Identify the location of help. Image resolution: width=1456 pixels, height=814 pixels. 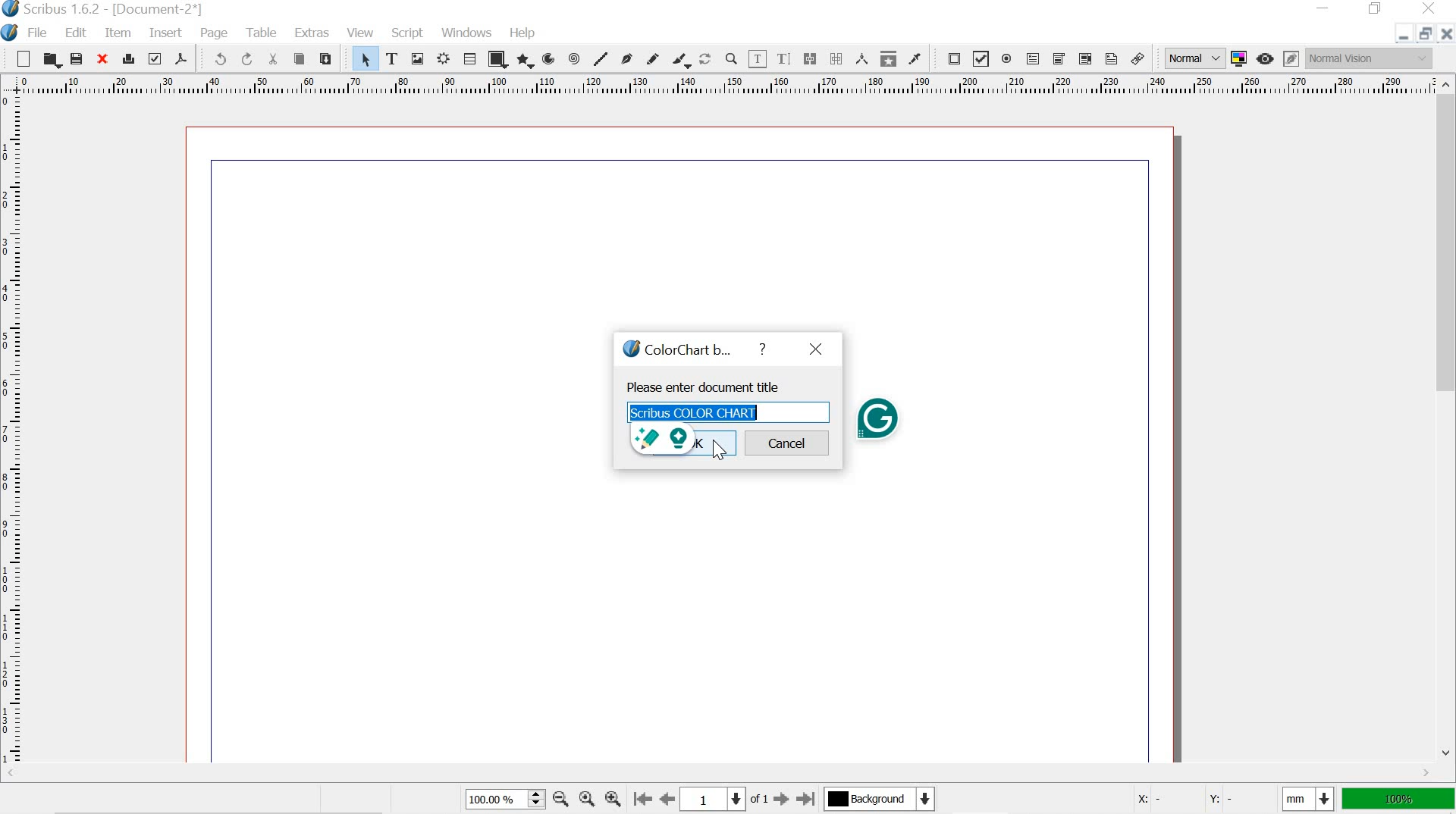
(759, 347).